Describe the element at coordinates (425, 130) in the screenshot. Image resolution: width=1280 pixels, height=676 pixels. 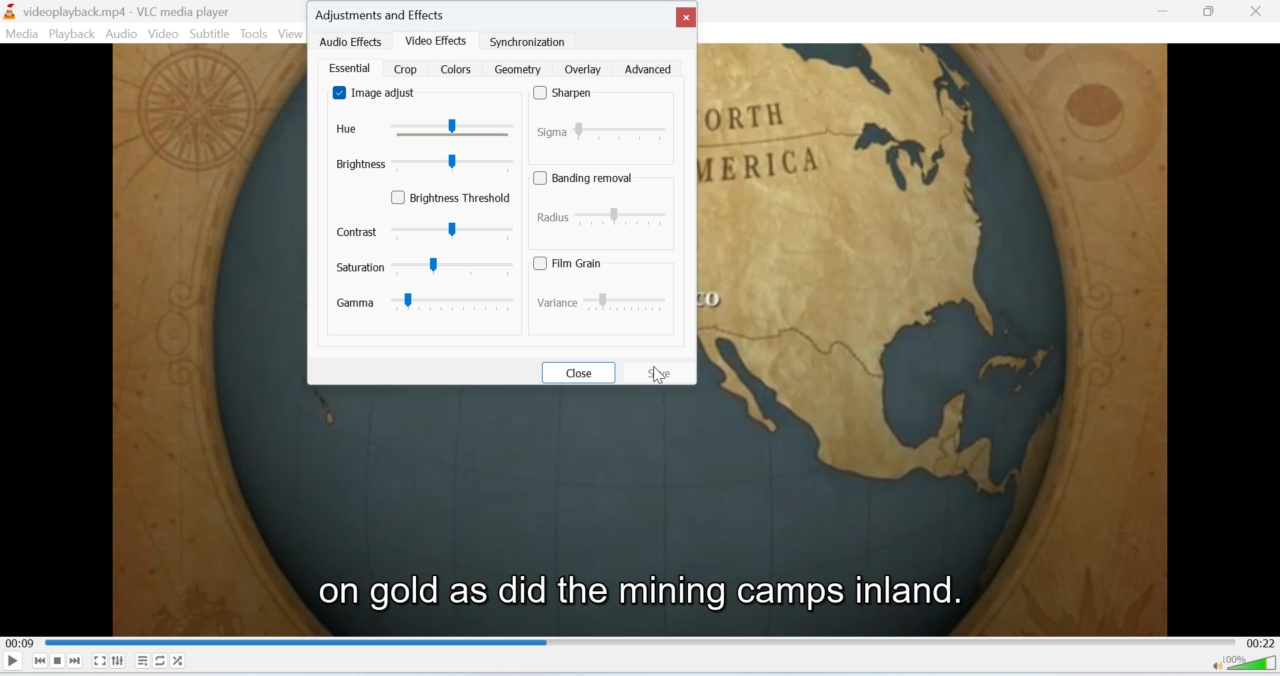
I see `Hue` at that location.